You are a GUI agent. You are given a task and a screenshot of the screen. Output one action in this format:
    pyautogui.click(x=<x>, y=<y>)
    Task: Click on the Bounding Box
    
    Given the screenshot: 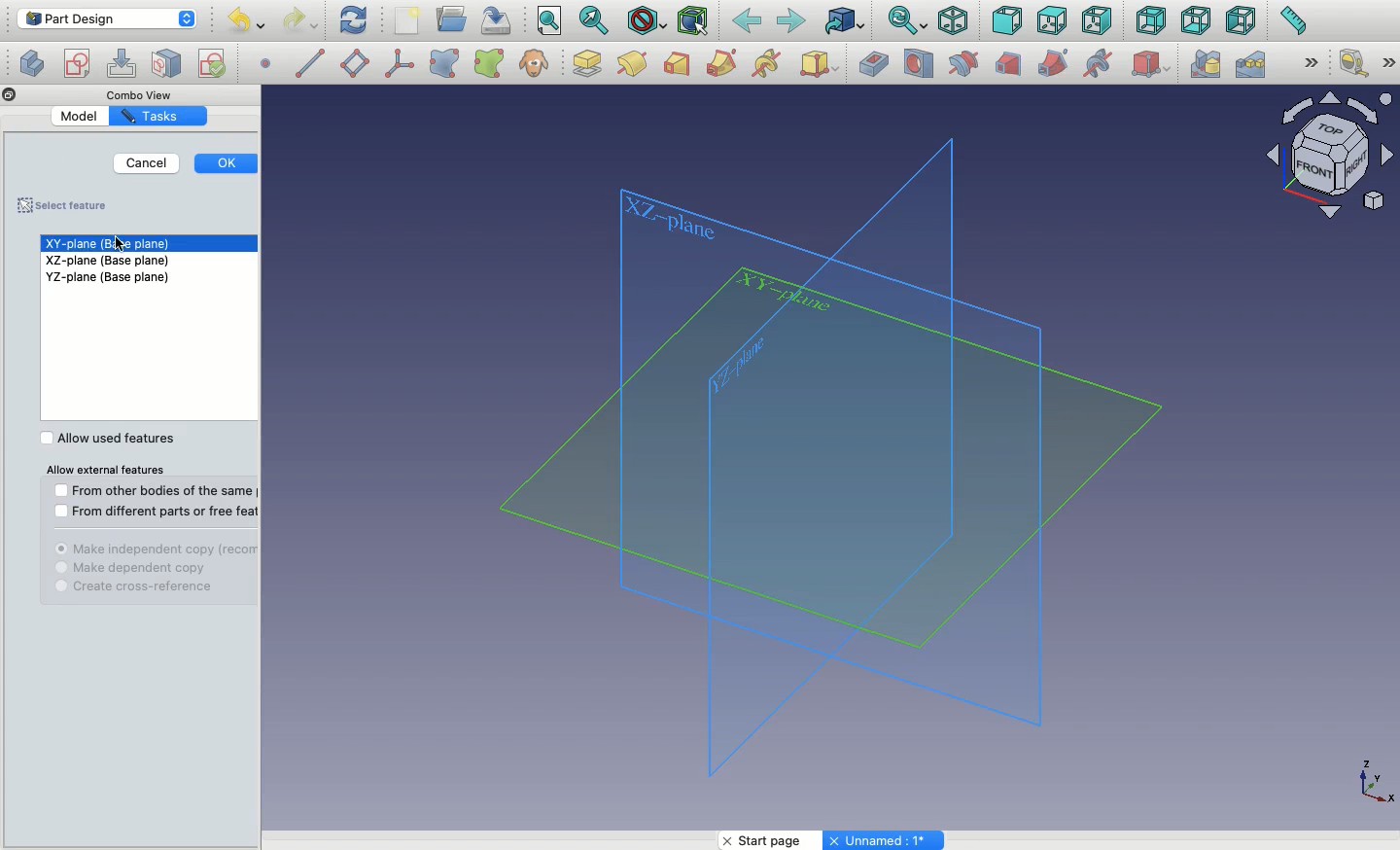 What is the action you would take?
    pyautogui.click(x=692, y=21)
    